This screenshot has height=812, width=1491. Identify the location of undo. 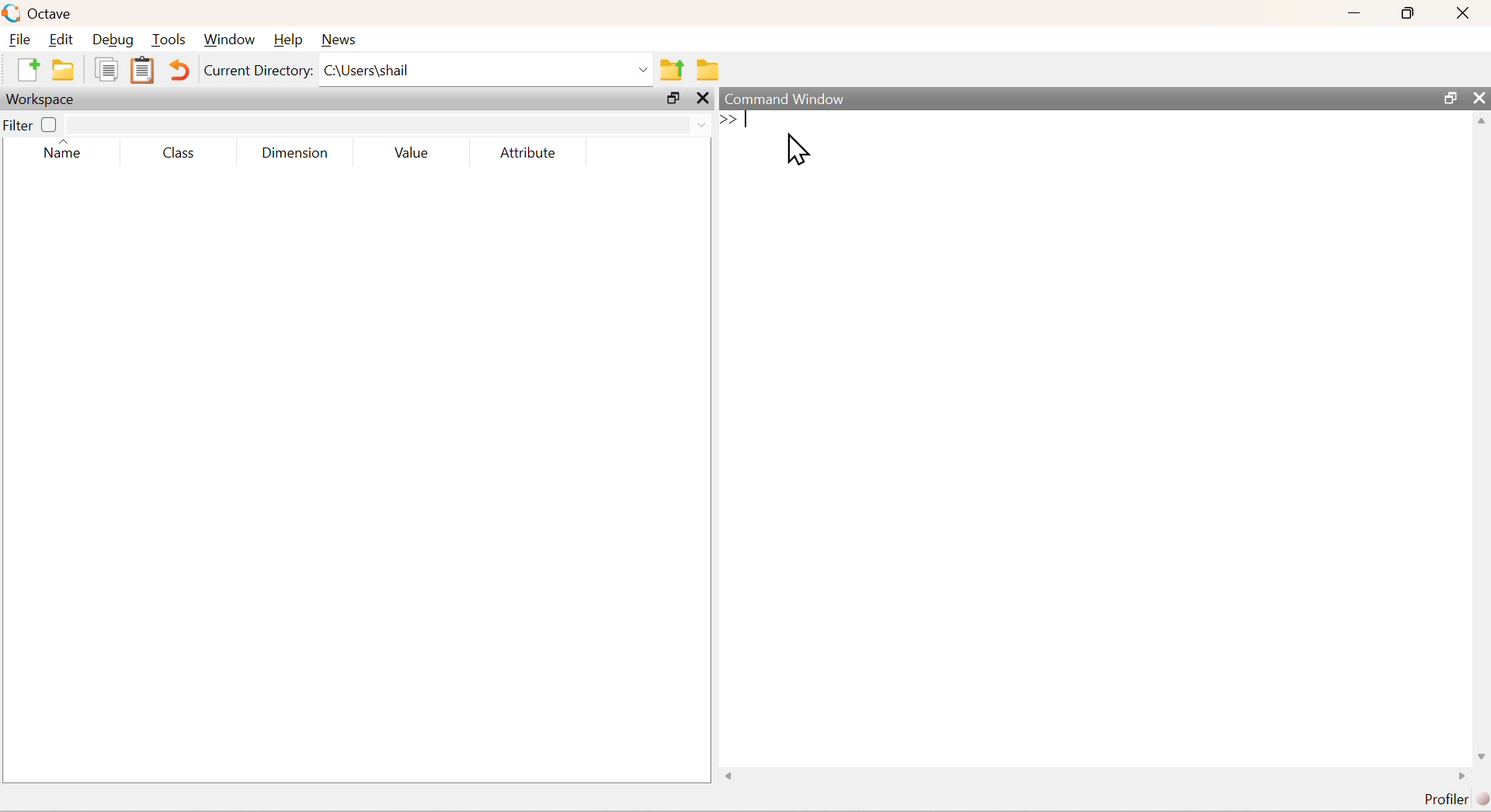
(179, 69).